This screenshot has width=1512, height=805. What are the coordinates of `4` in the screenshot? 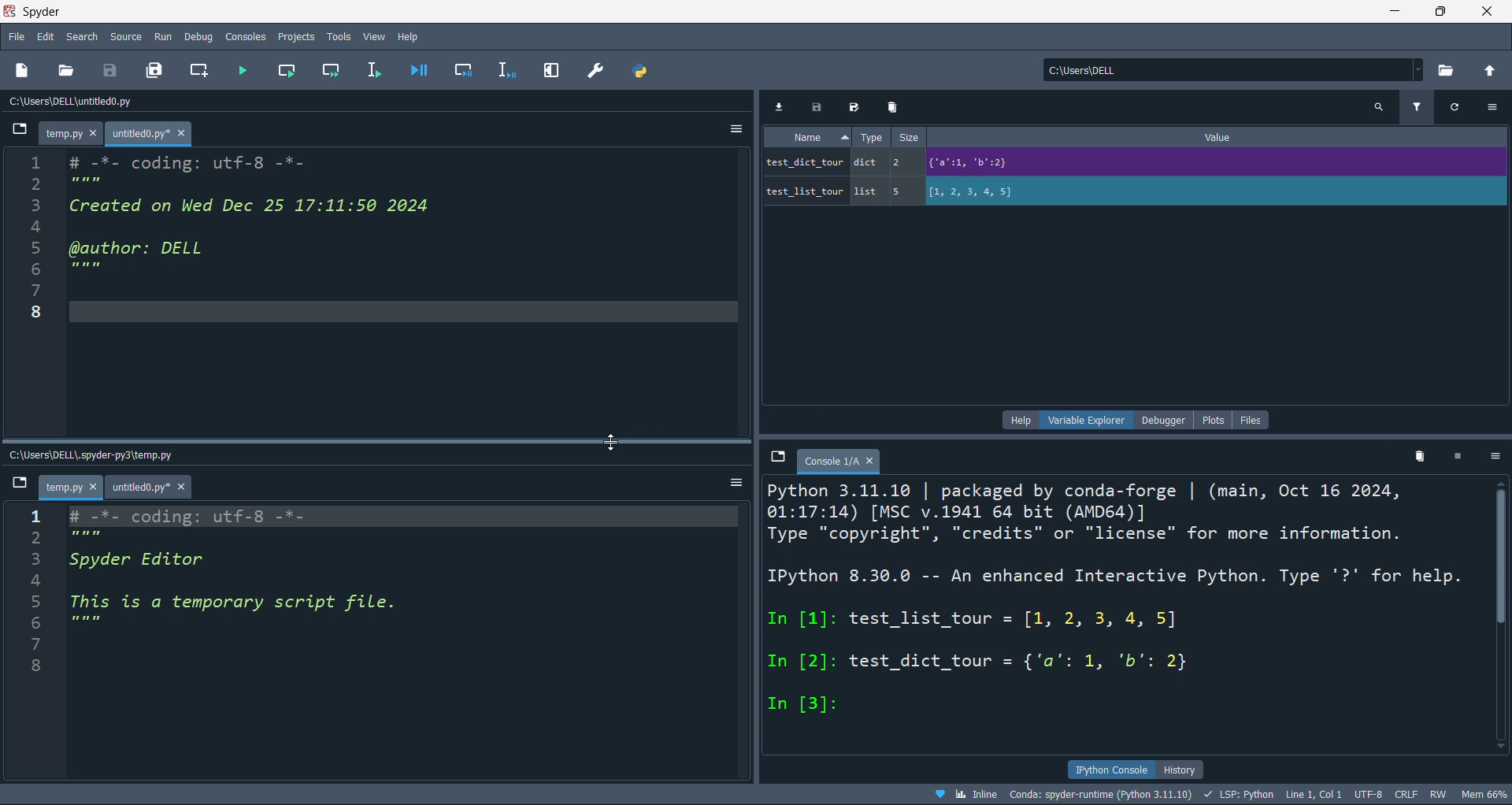 It's located at (70, 582).